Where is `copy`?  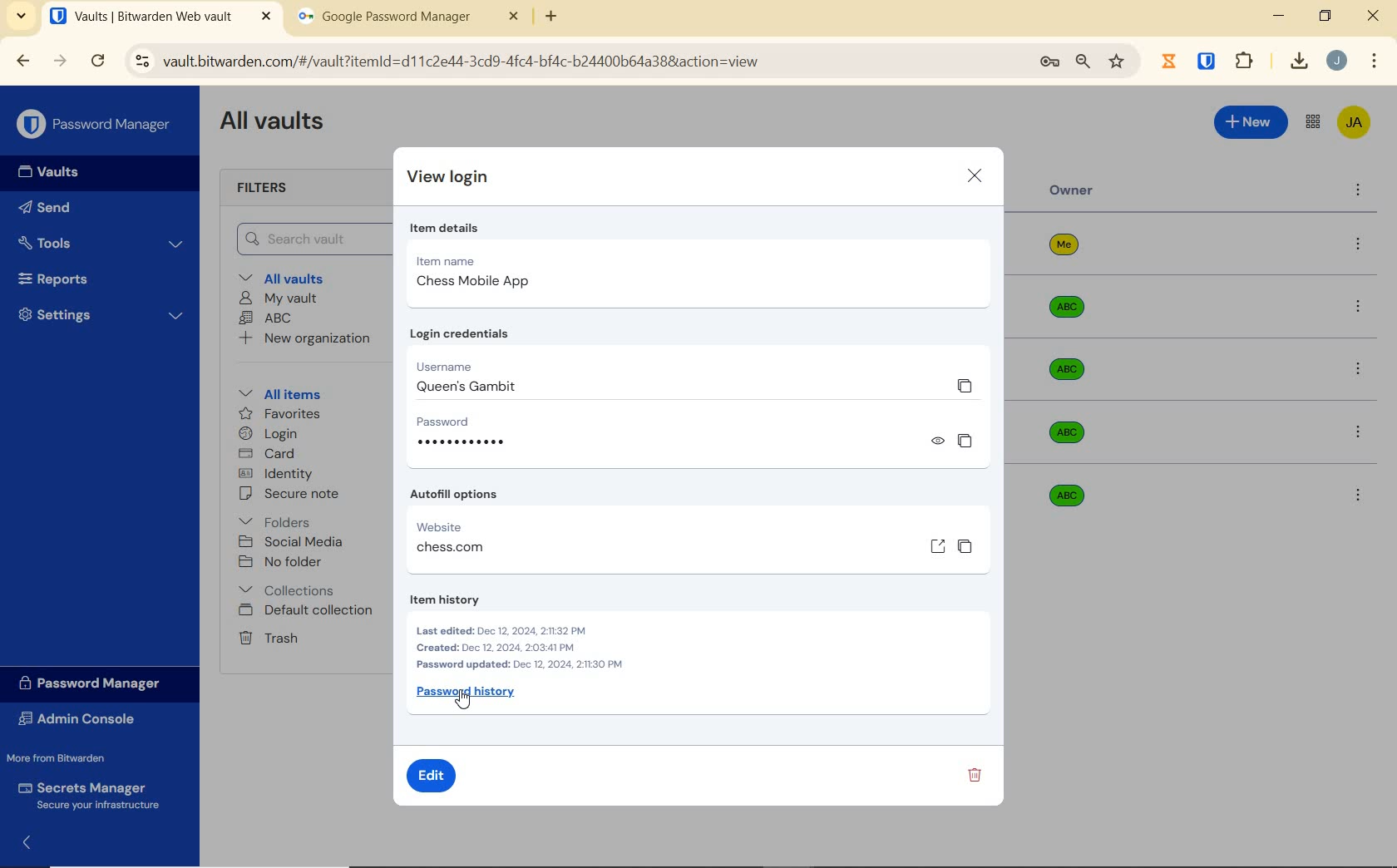 copy is located at coordinates (964, 389).